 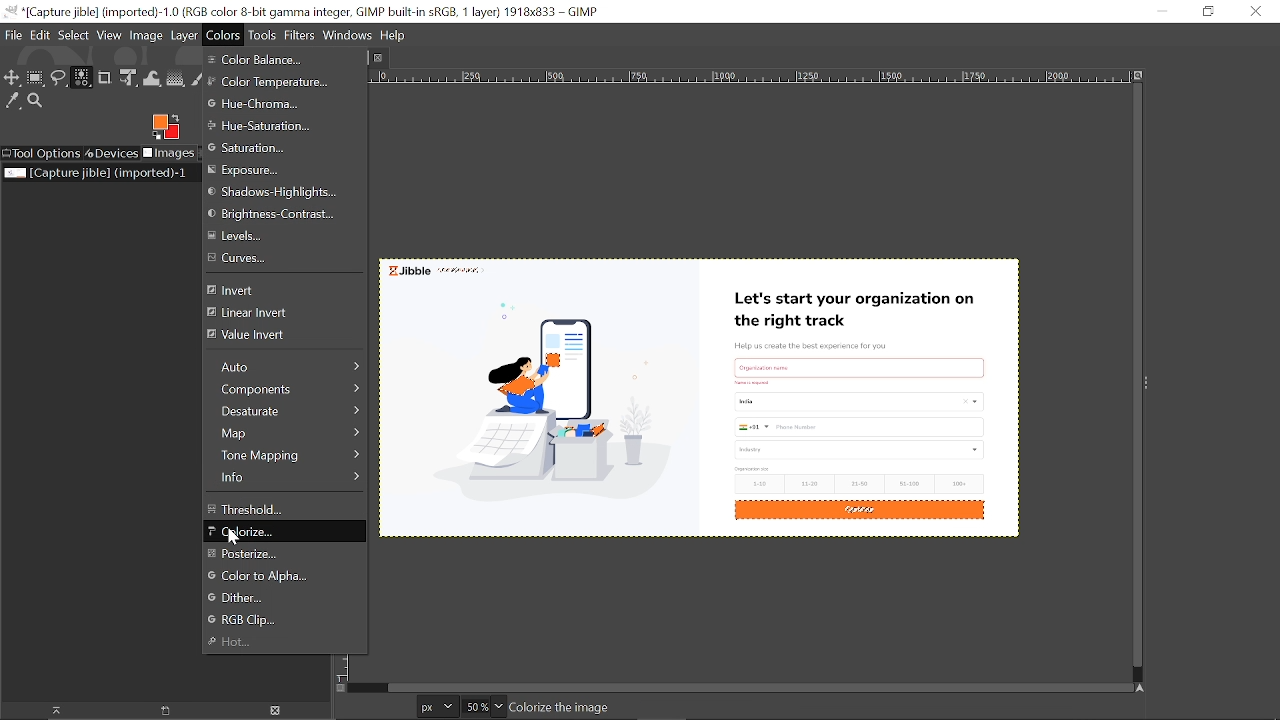 I want to click on Map, so click(x=286, y=433).